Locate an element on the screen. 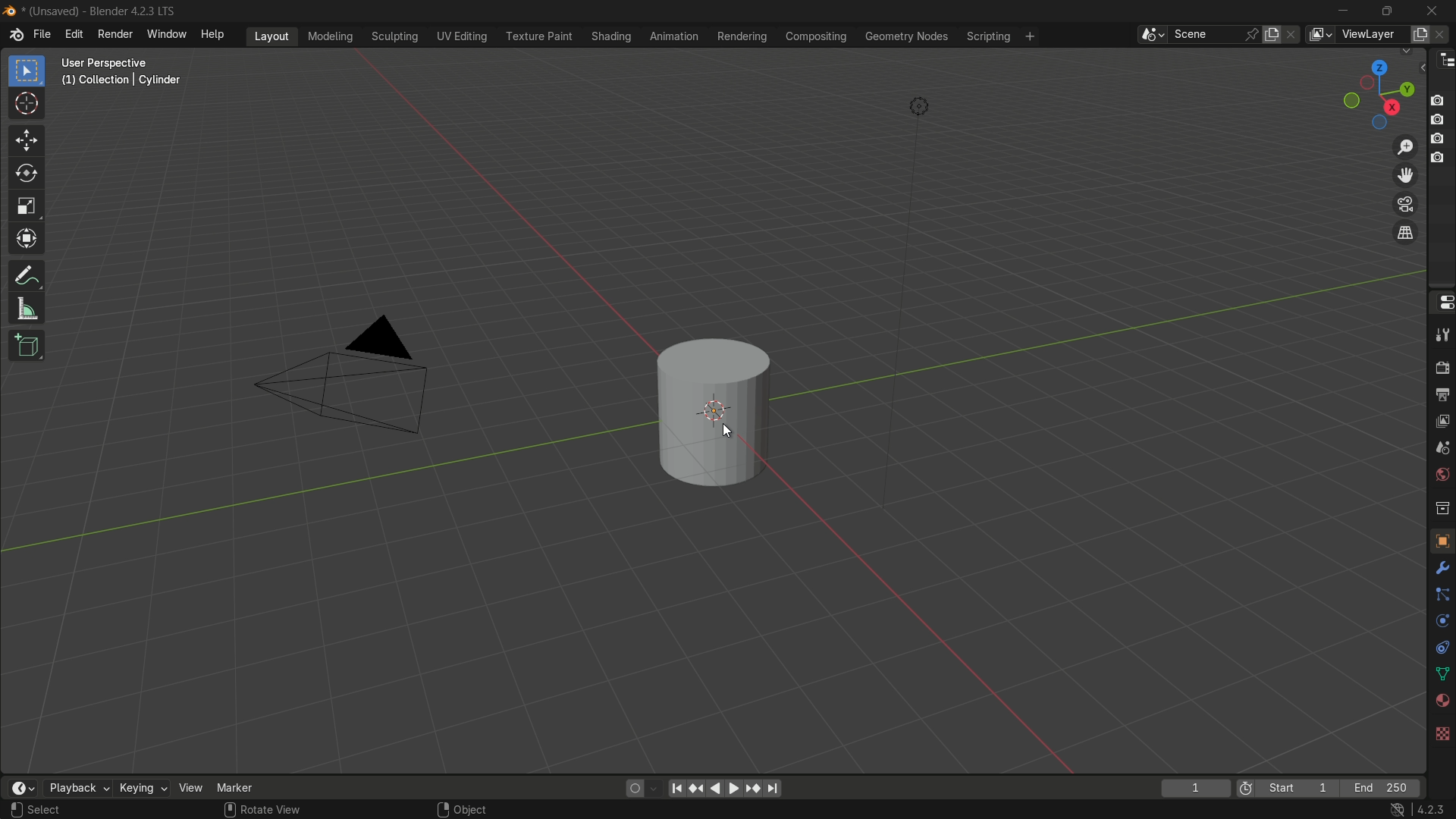 This screenshot has width=1456, height=819. add workplace is located at coordinates (1032, 36).